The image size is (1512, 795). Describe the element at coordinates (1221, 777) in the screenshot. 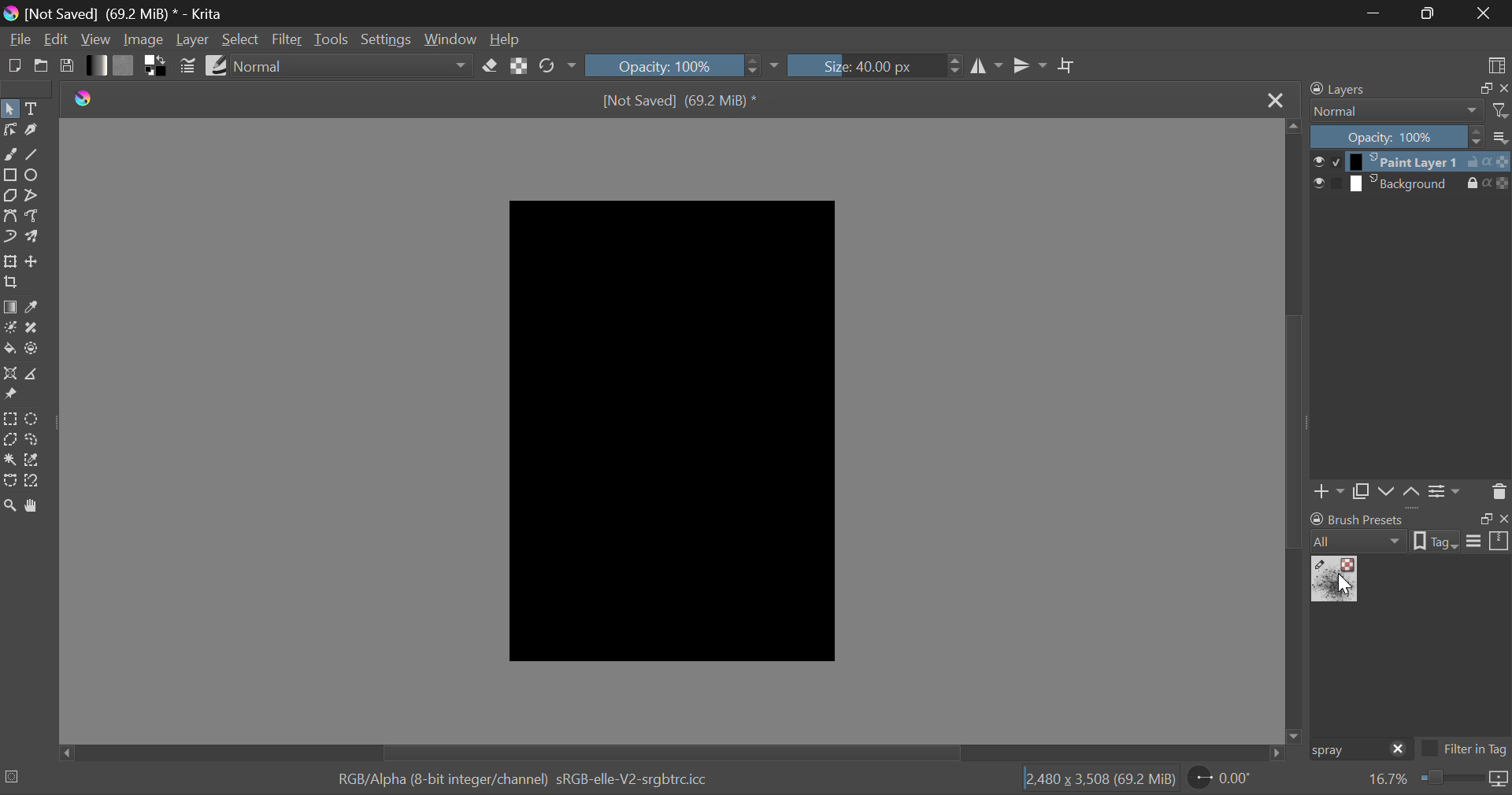

I see `page rotation` at that location.